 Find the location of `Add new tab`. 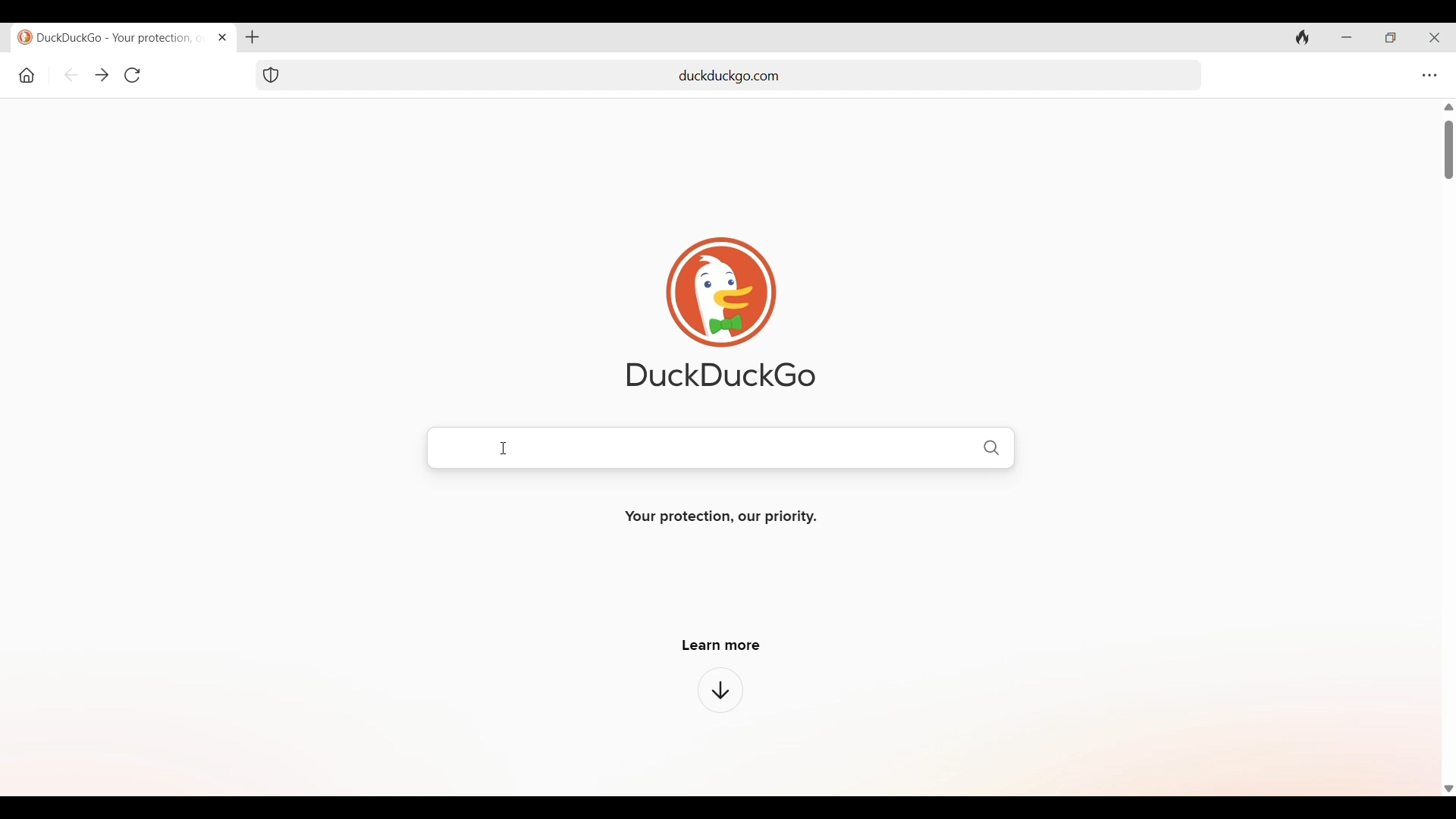

Add new tab is located at coordinates (253, 37).